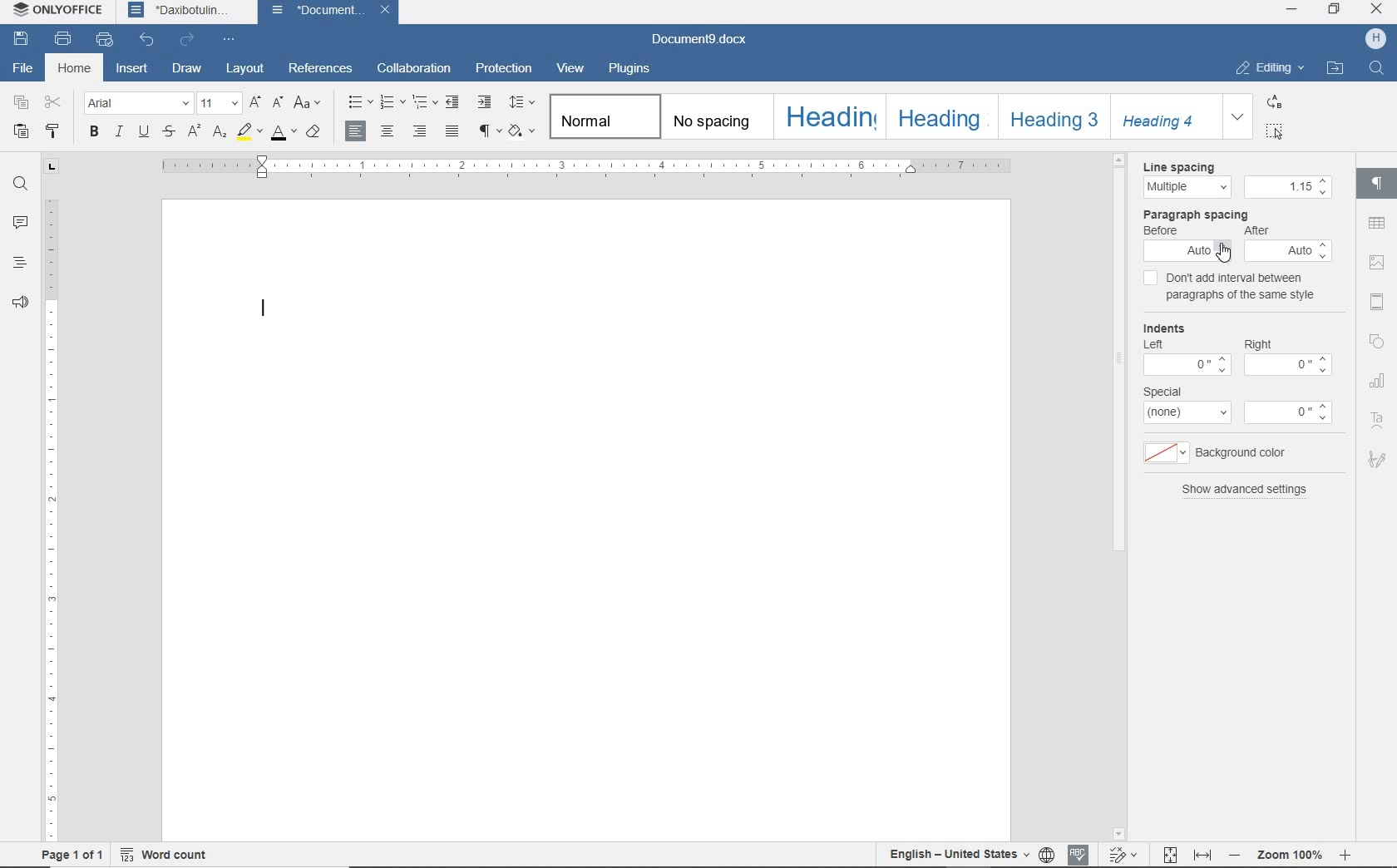 The width and height of the screenshot is (1397, 868). Describe the element at coordinates (1377, 301) in the screenshot. I see `header and footer` at that location.